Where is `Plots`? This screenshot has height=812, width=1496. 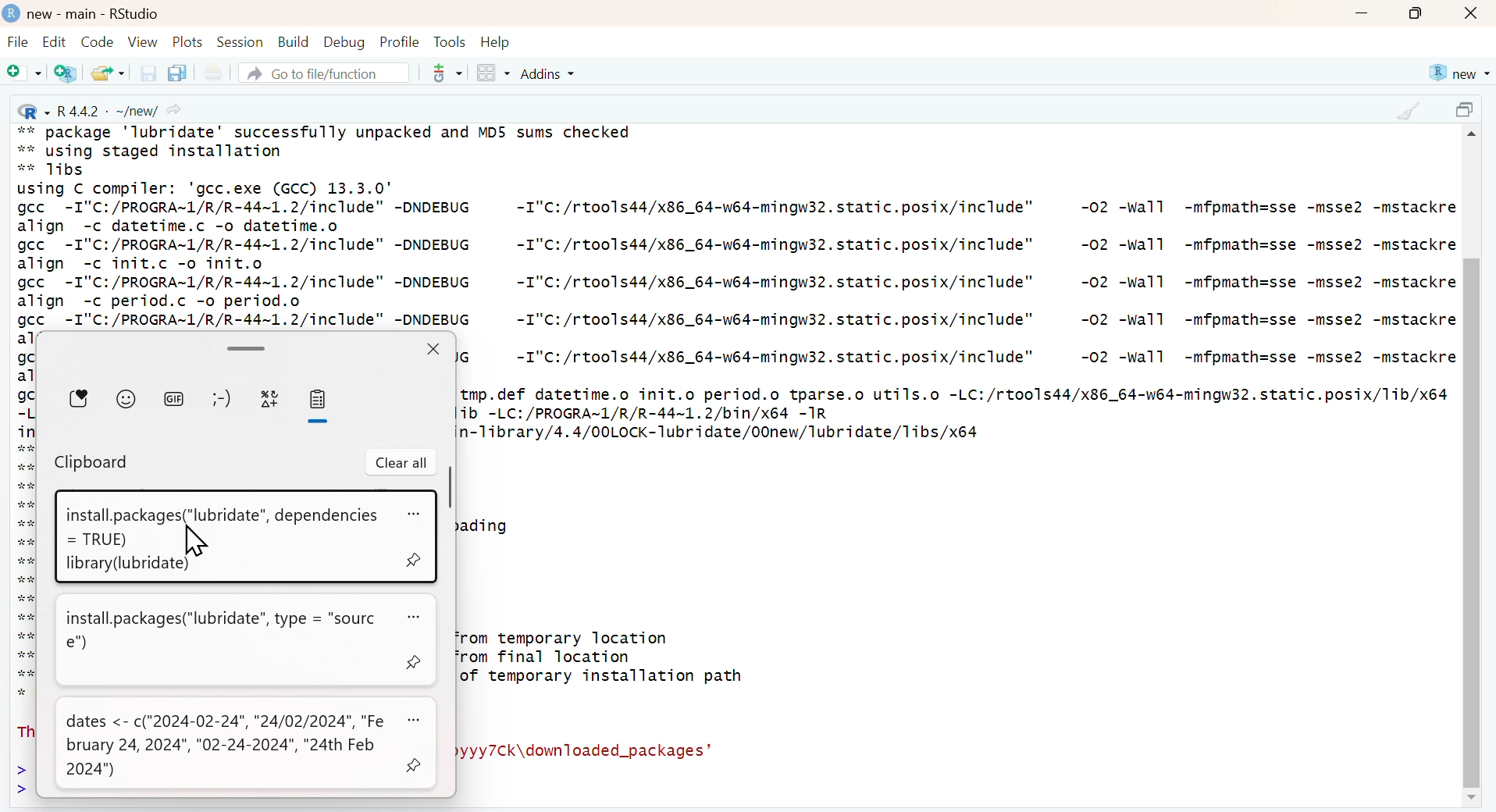
Plots is located at coordinates (188, 41).